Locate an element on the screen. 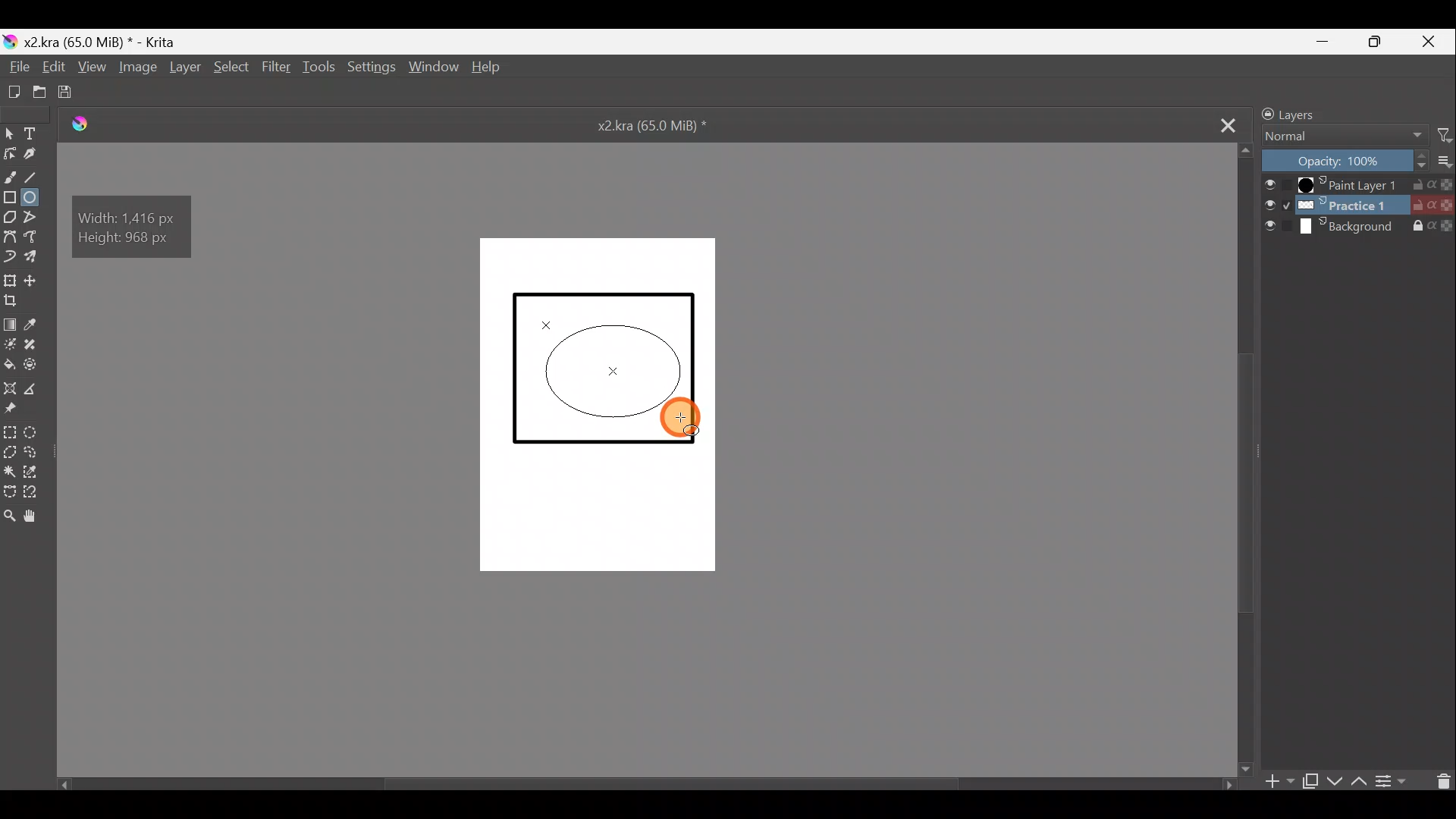  Line tool is located at coordinates (37, 175).